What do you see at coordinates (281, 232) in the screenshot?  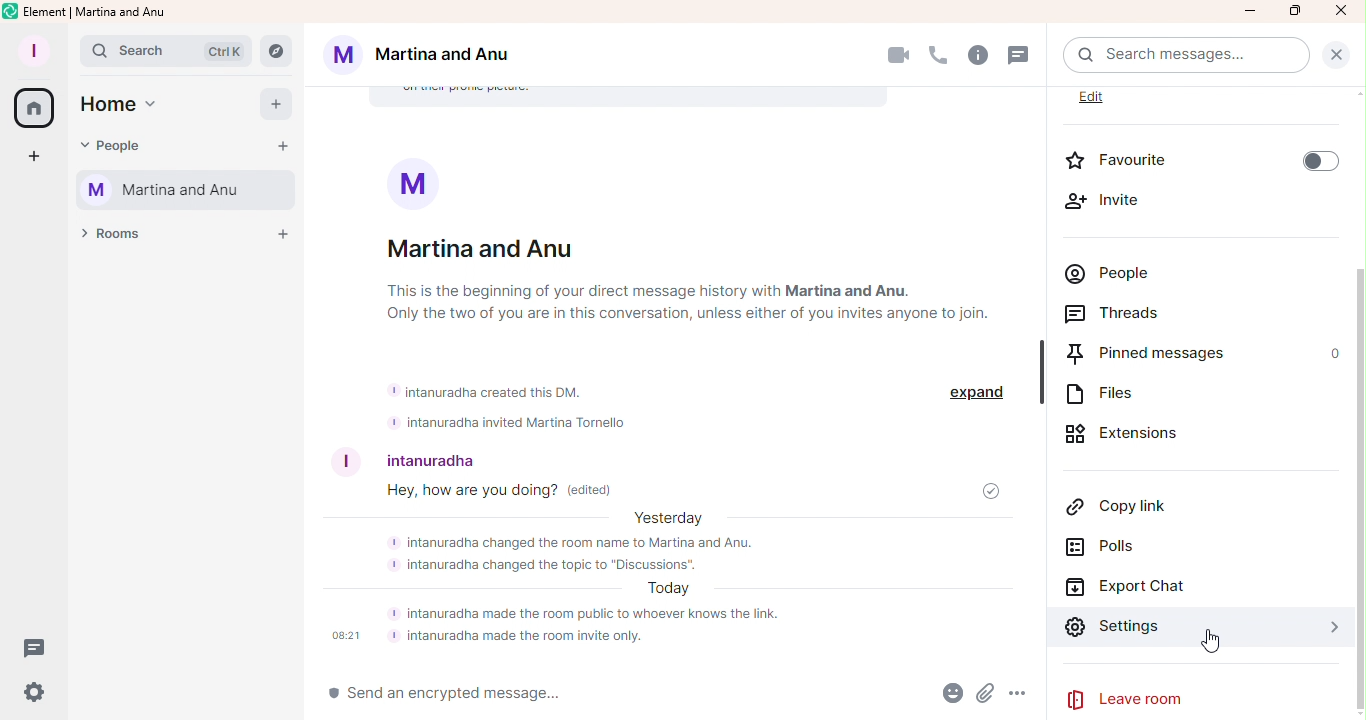 I see `Add a room` at bounding box center [281, 232].